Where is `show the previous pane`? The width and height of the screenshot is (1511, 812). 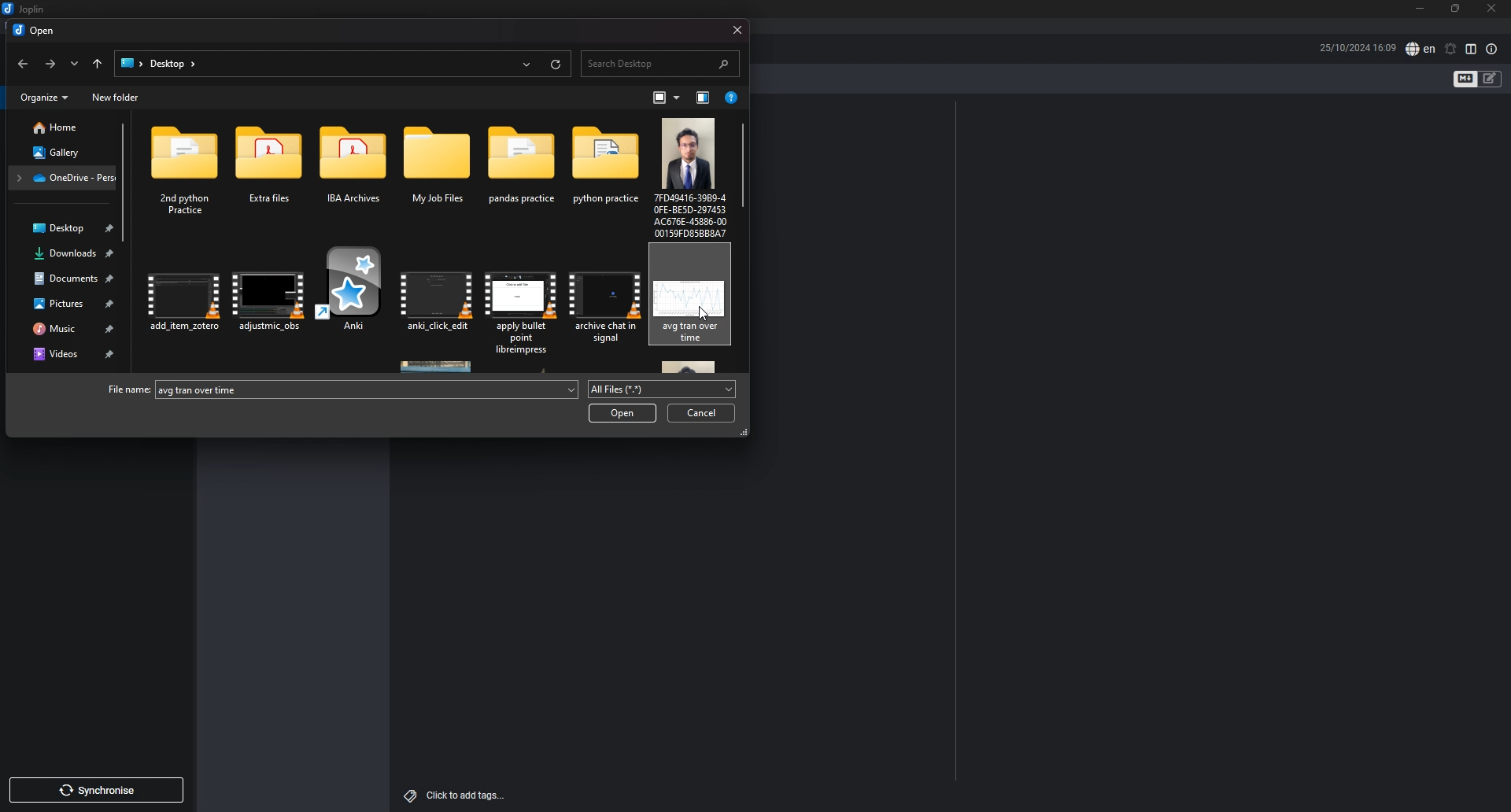 show the previous pane is located at coordinates (704, 98).